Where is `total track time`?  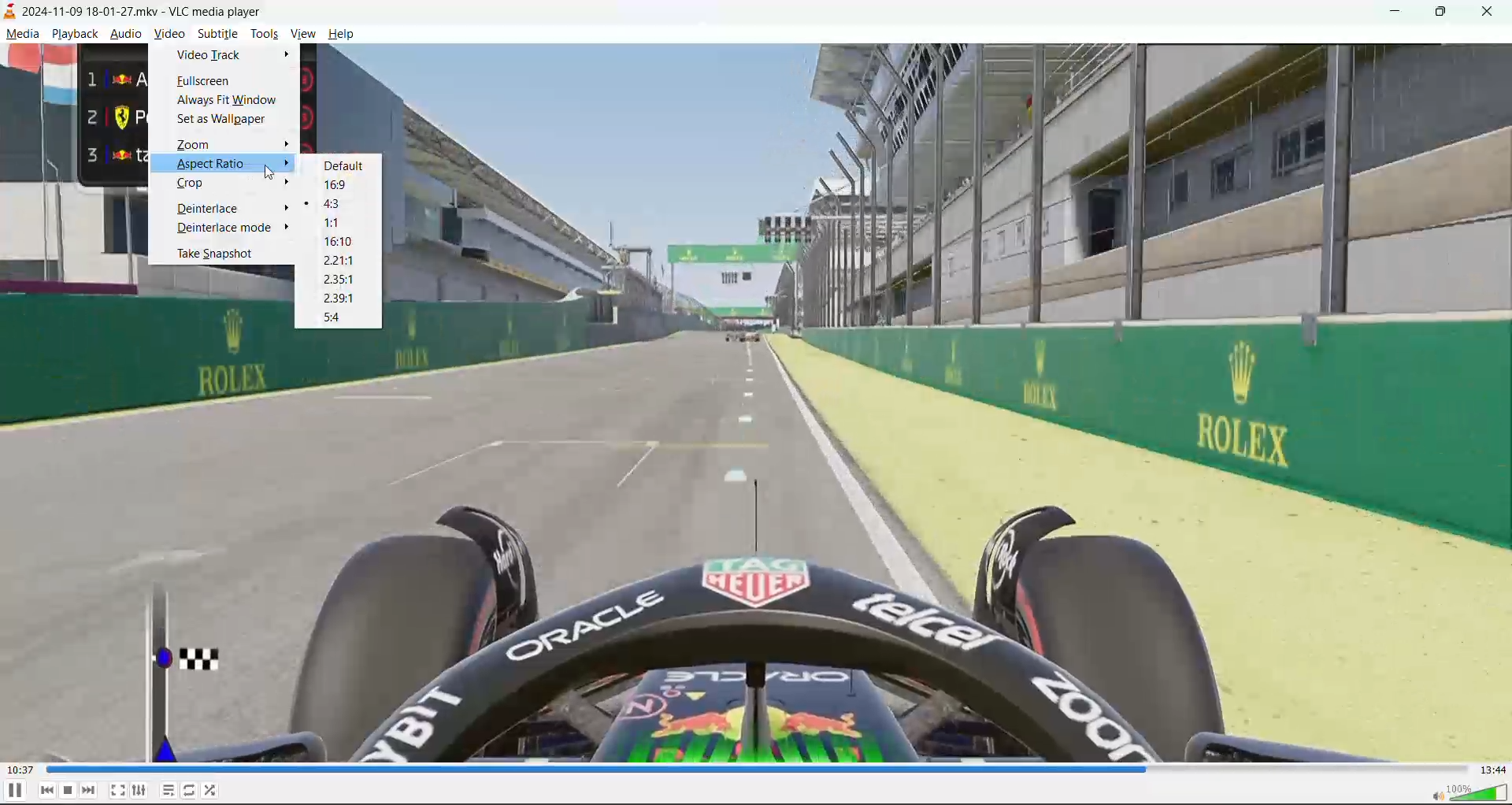 total track time is located at coordinates (1493, 770).